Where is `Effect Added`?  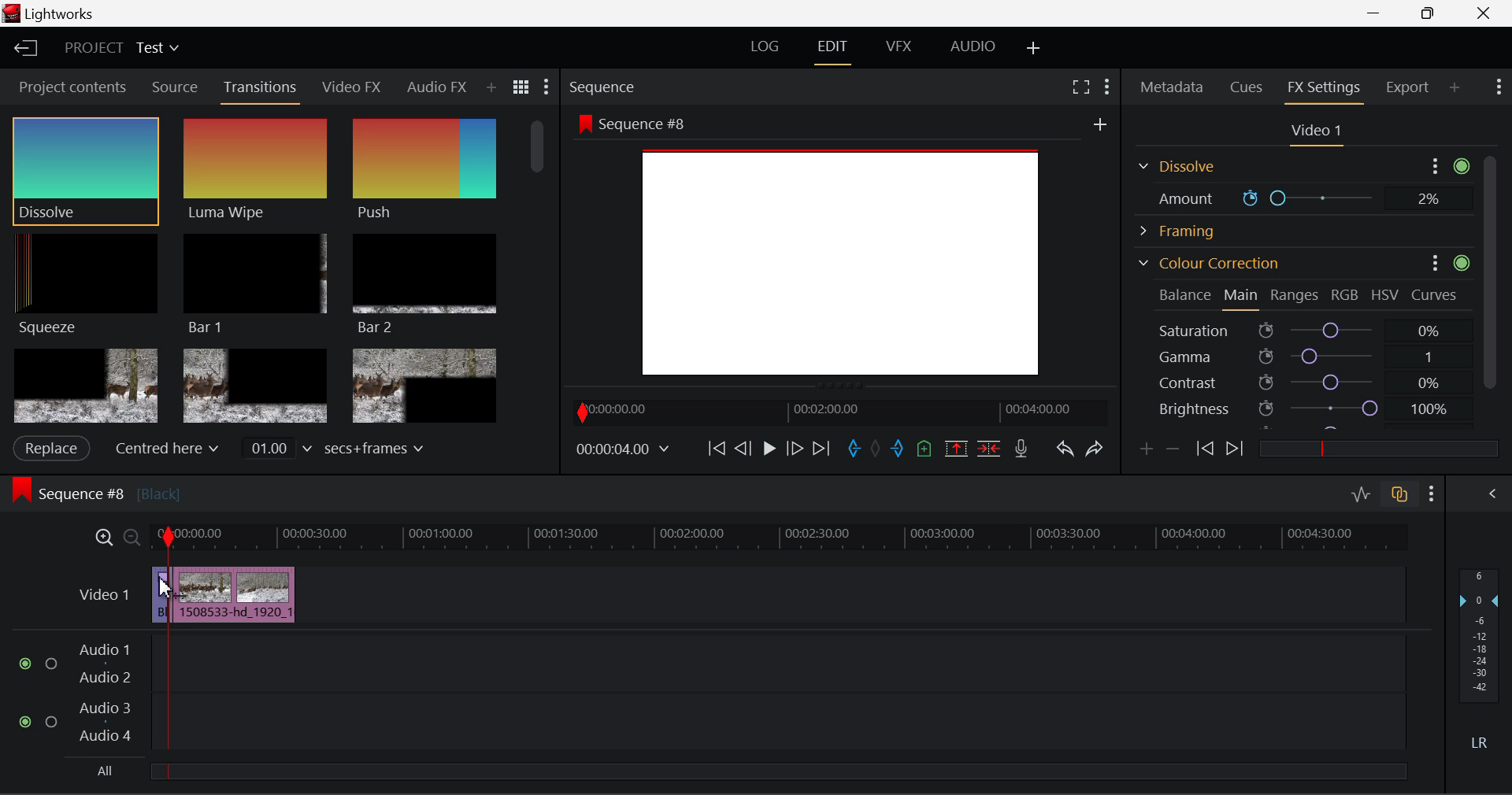
Effect Added is located at coordinates (247, 595).